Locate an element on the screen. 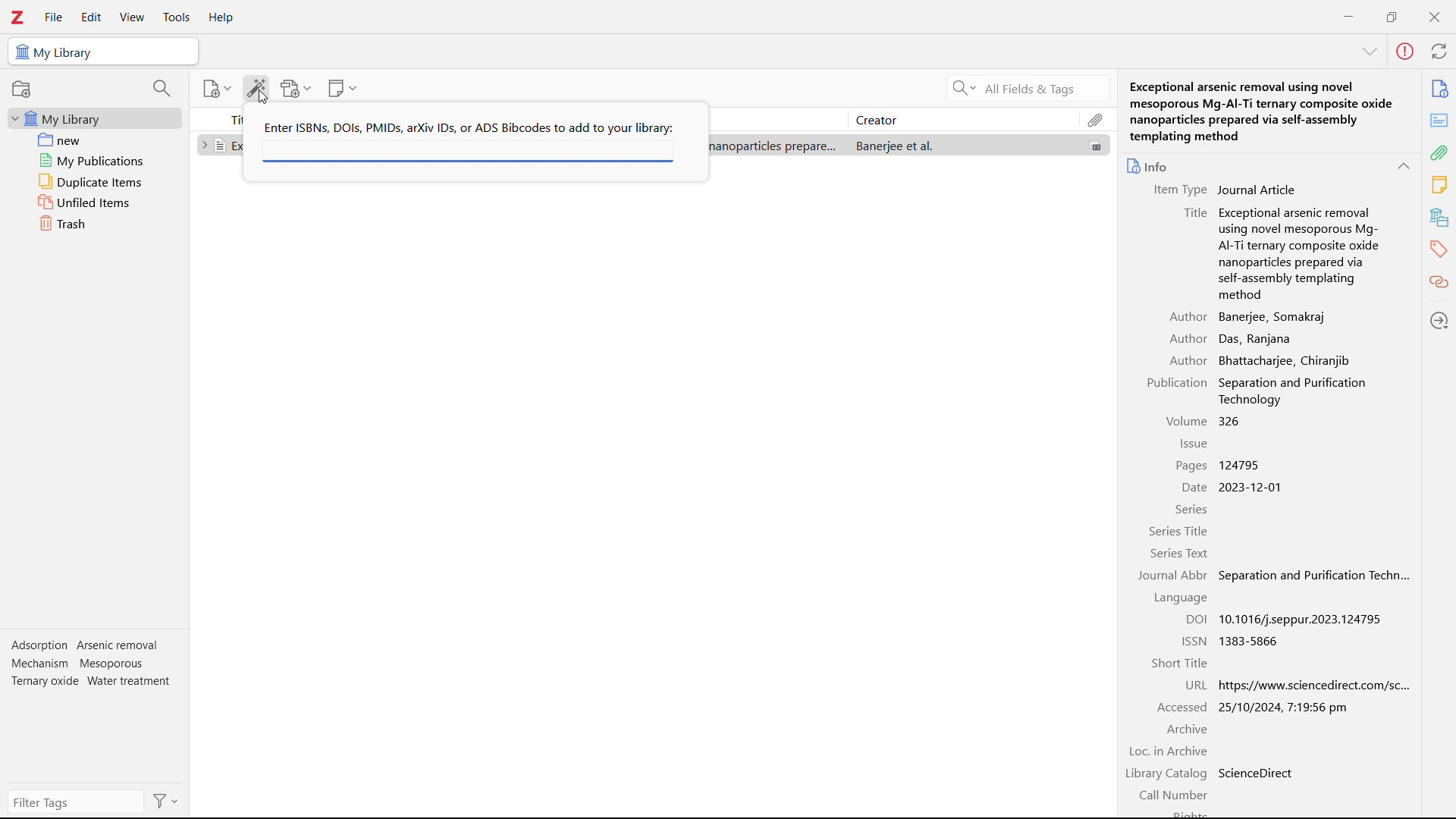 The image size is (1456, 819). abstract is located at coordinates (1439, 121).